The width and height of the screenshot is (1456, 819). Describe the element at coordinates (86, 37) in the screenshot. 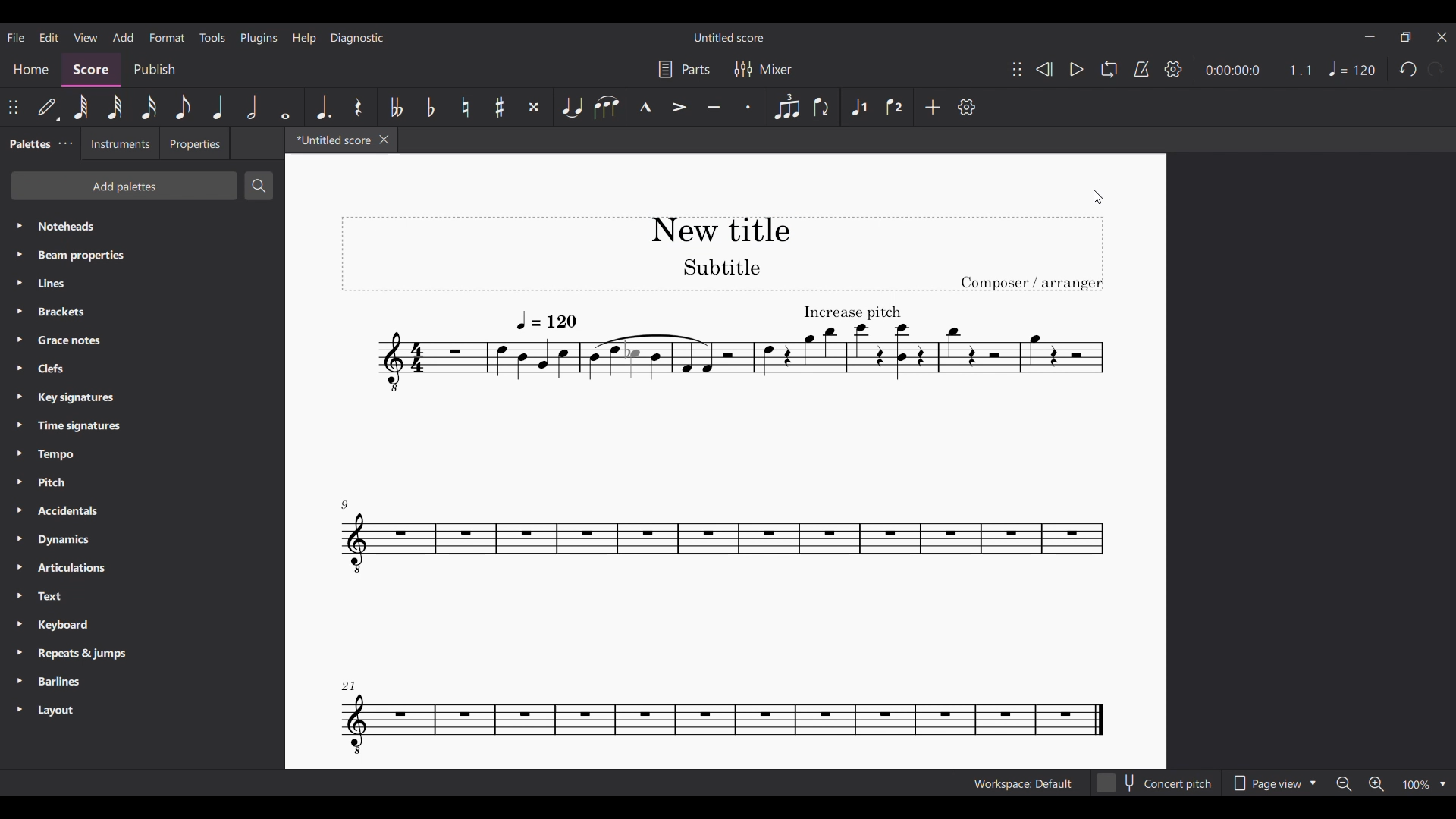

I see `View menu ` at that location.